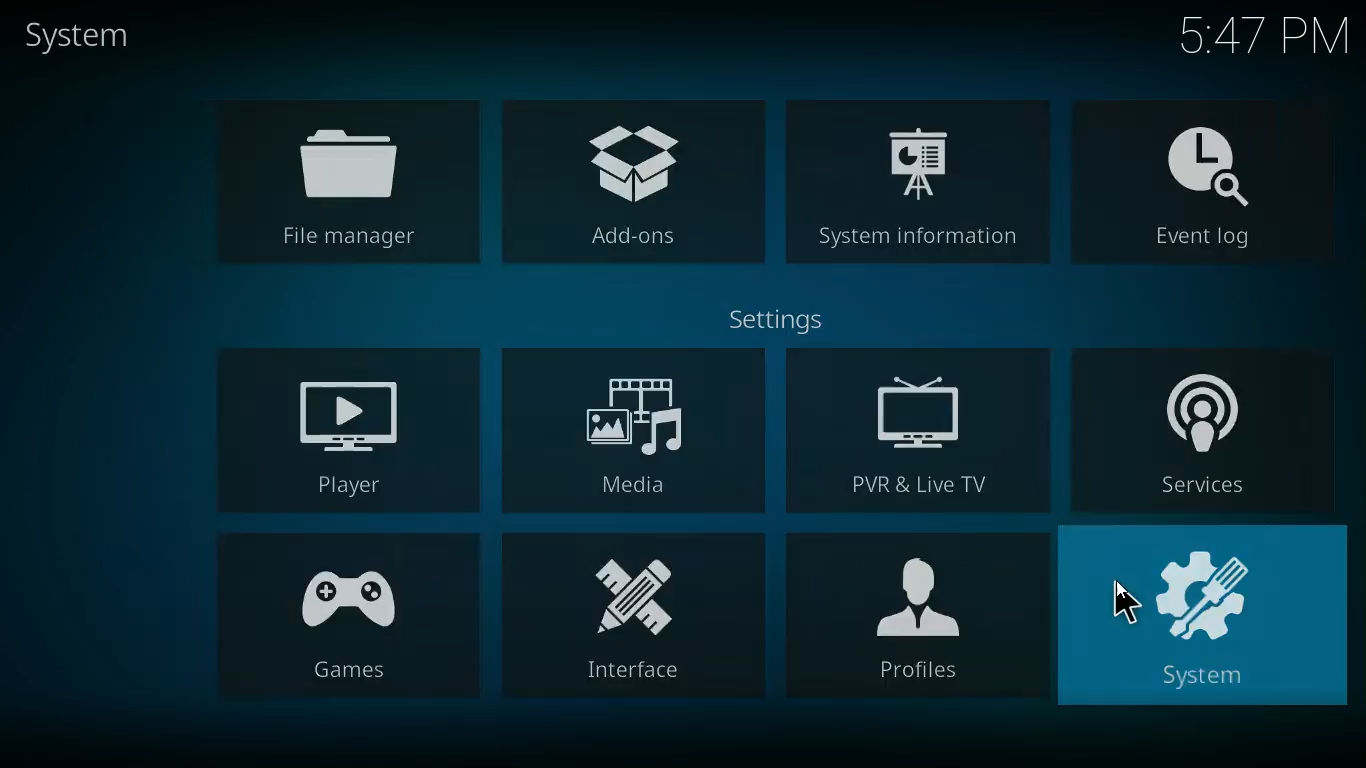 The height and width of the screenshot is (768, 1366). What do you see at coordinates (636, 185) in the screenshot?
I see `add-ons` at bounding box center [636, 185].